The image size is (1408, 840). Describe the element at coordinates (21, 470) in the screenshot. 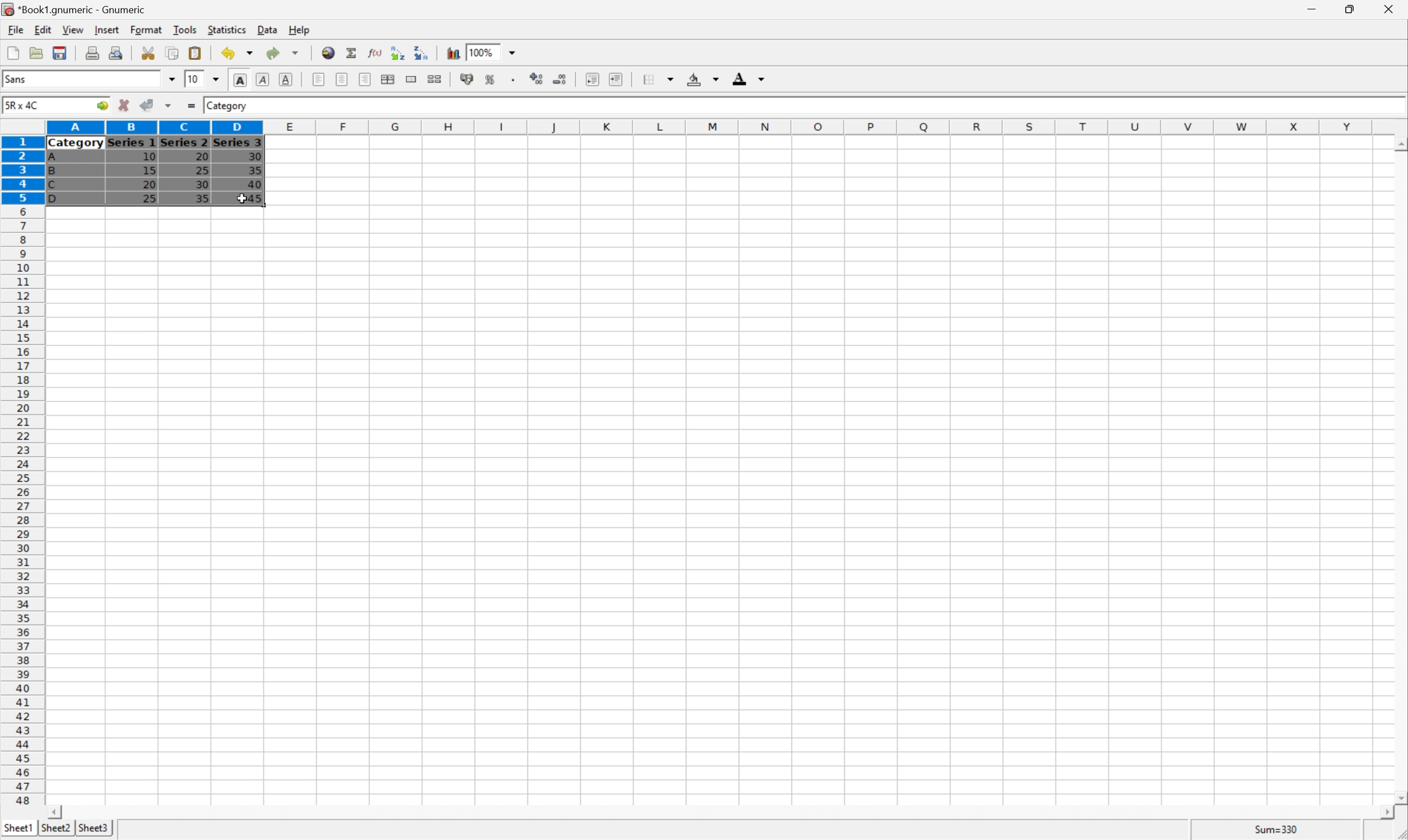

I see `Row numbers` at that location.